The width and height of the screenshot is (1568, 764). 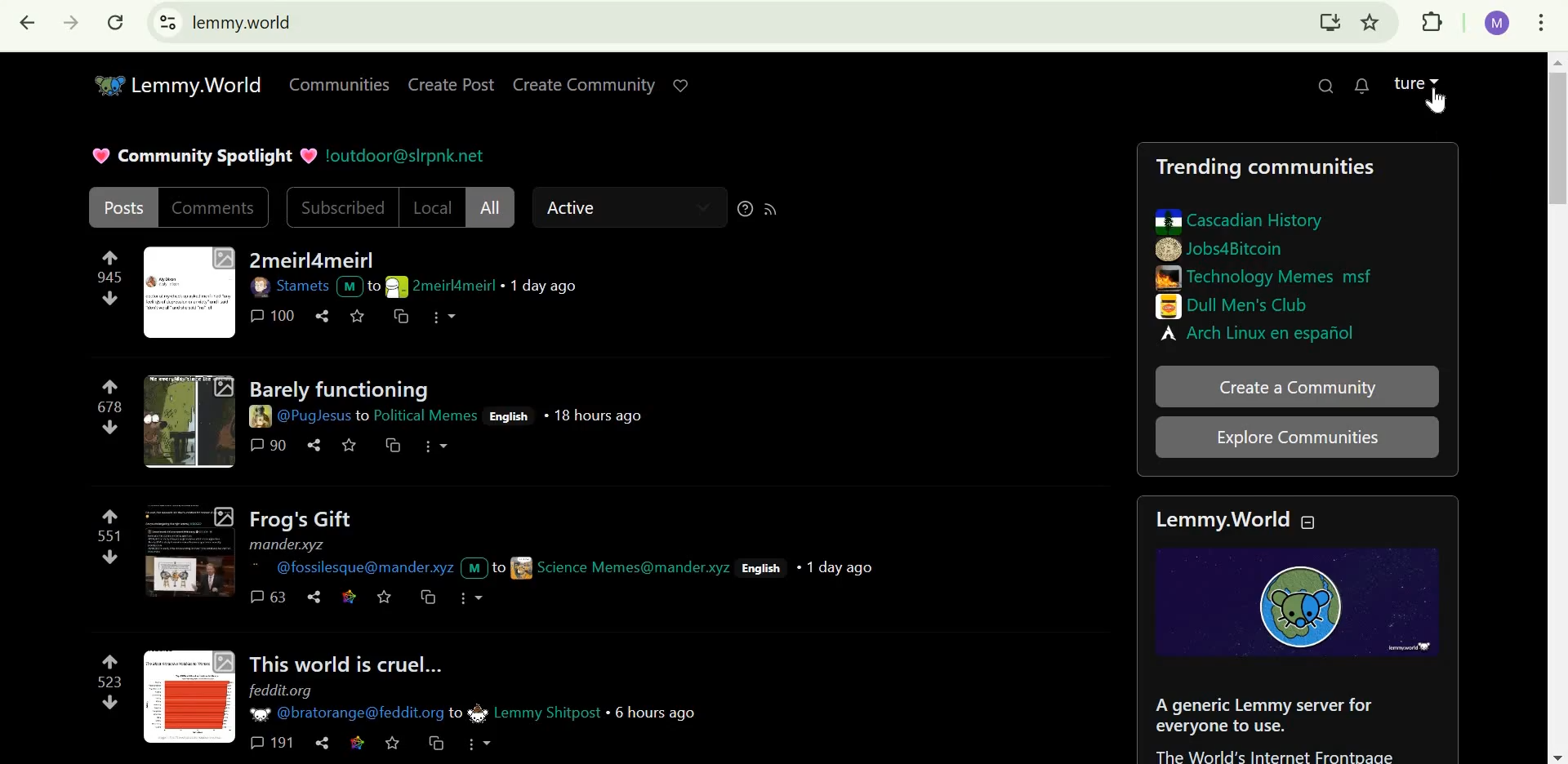 What do you see at coordinates (1297, 602) in the screenshot?
I see `lemmy icon` at bounding box center [1297, 602].